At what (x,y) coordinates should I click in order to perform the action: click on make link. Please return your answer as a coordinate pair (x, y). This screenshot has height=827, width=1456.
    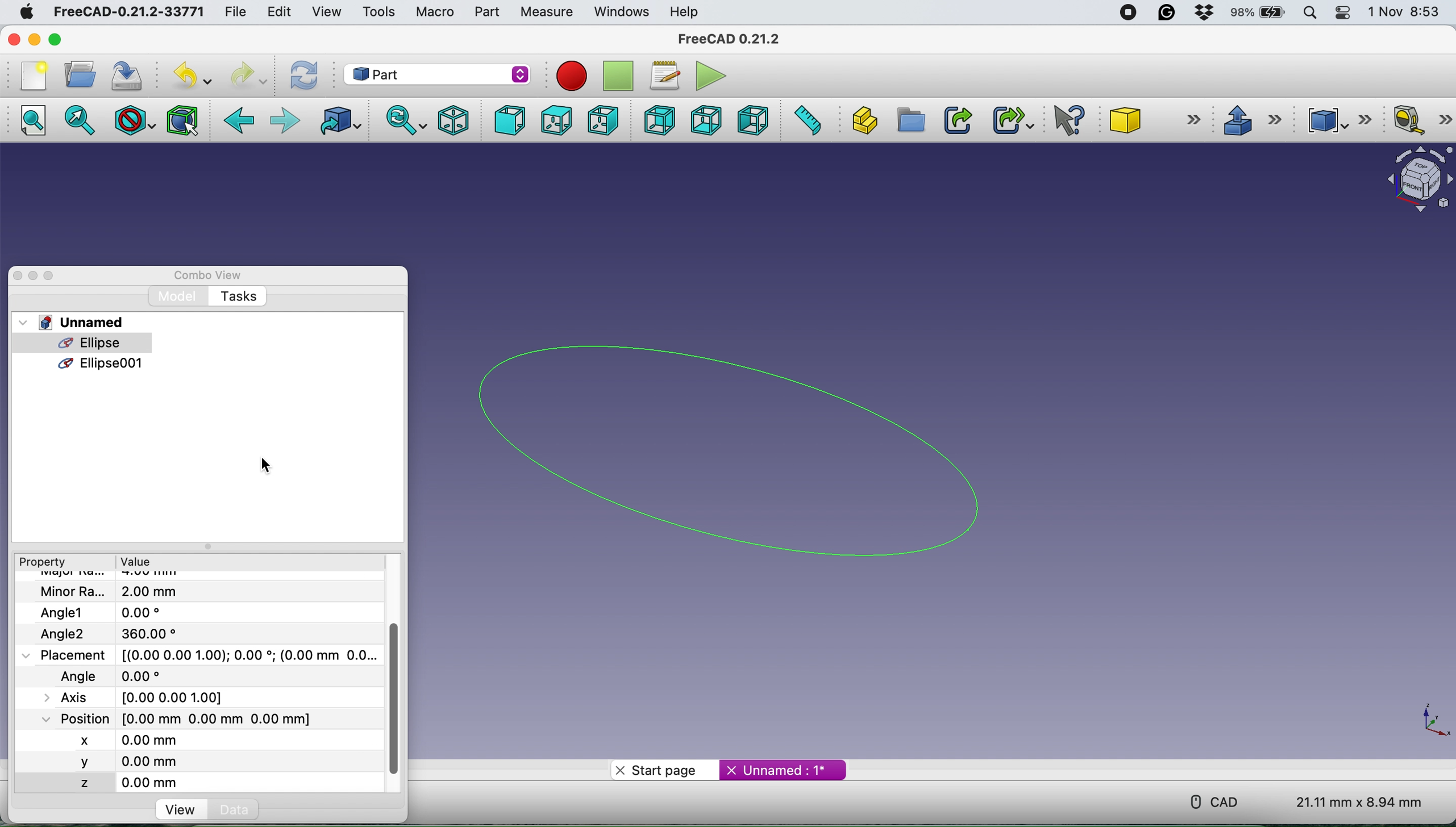
    Looking at the image, I should click on (955, 120).